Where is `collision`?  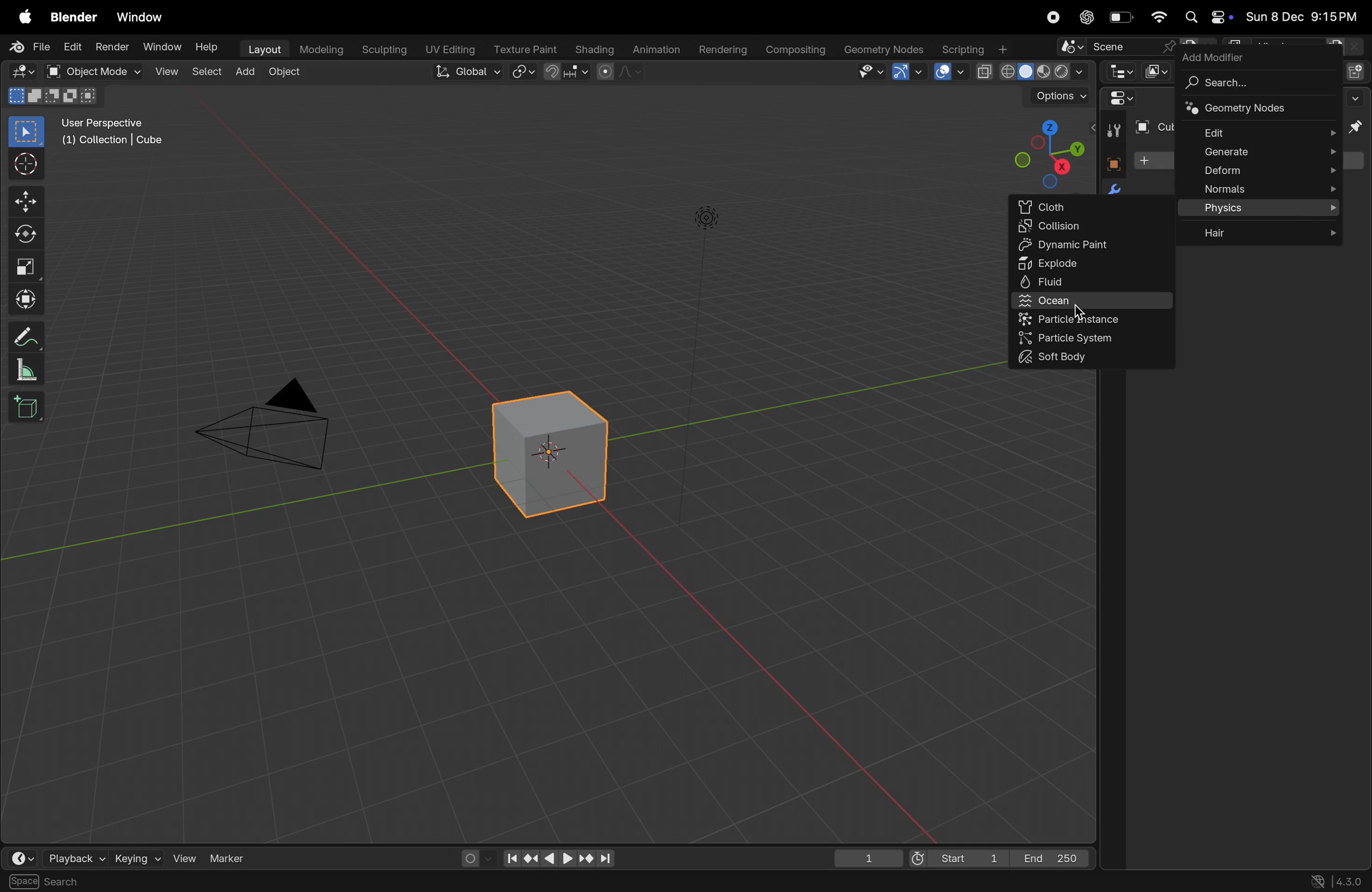
collision is located at coordinates (1095, 227).